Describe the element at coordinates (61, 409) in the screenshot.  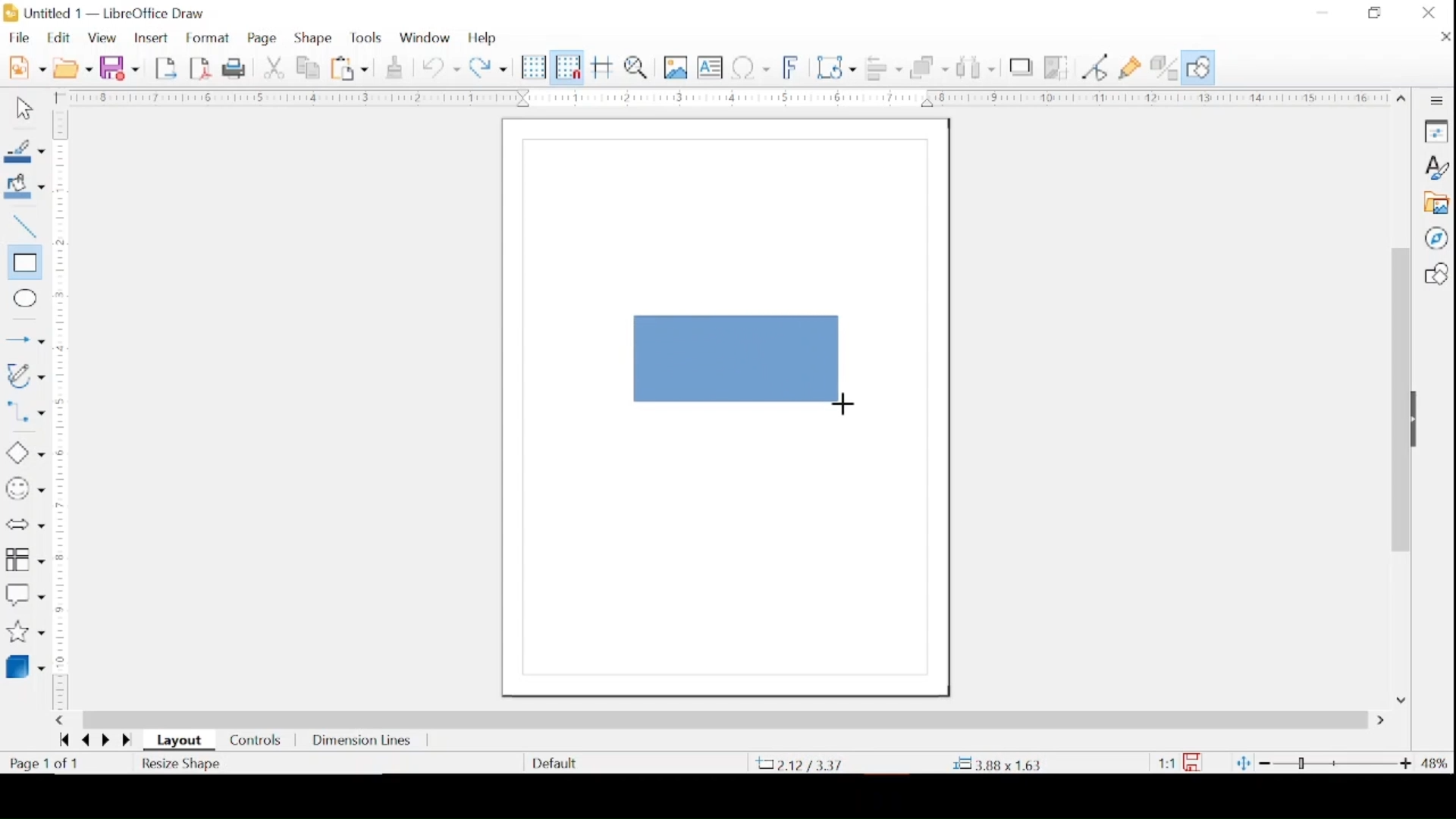
I see `margin` at that location.